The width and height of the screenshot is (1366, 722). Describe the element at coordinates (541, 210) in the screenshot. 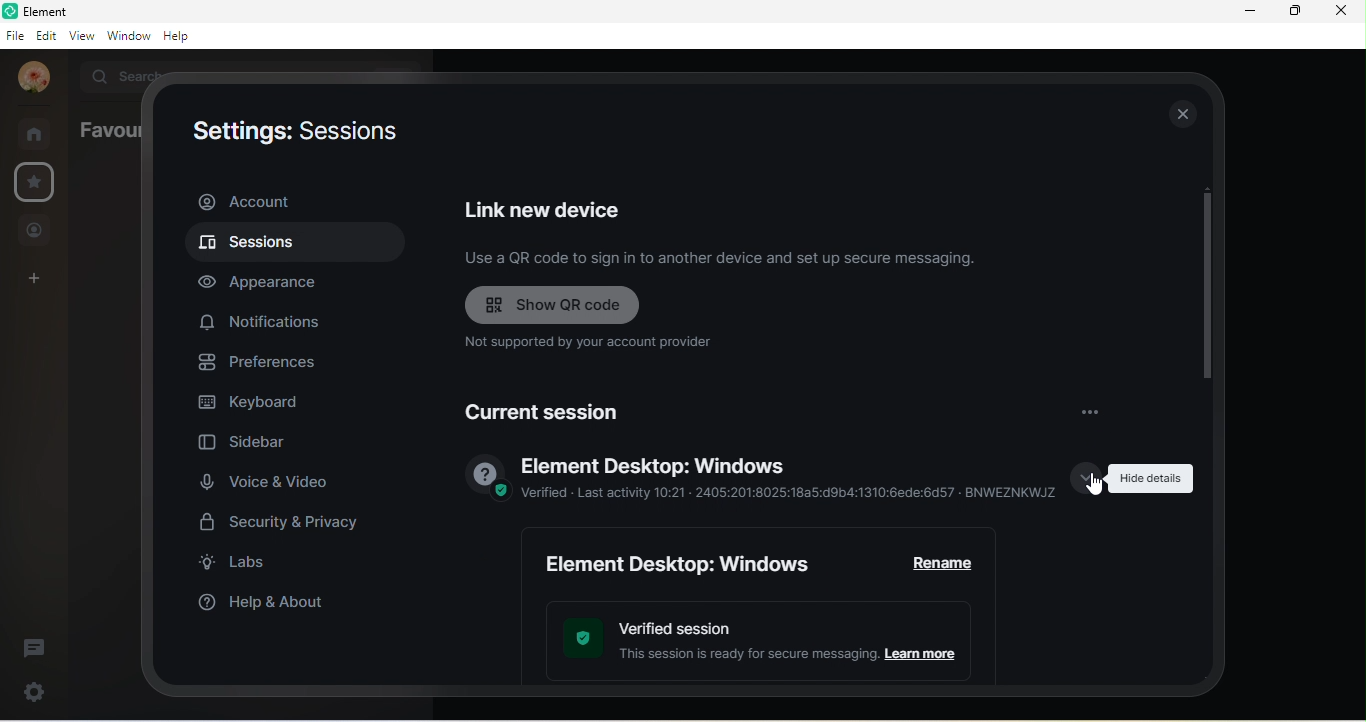

I see `link new device` at that location.